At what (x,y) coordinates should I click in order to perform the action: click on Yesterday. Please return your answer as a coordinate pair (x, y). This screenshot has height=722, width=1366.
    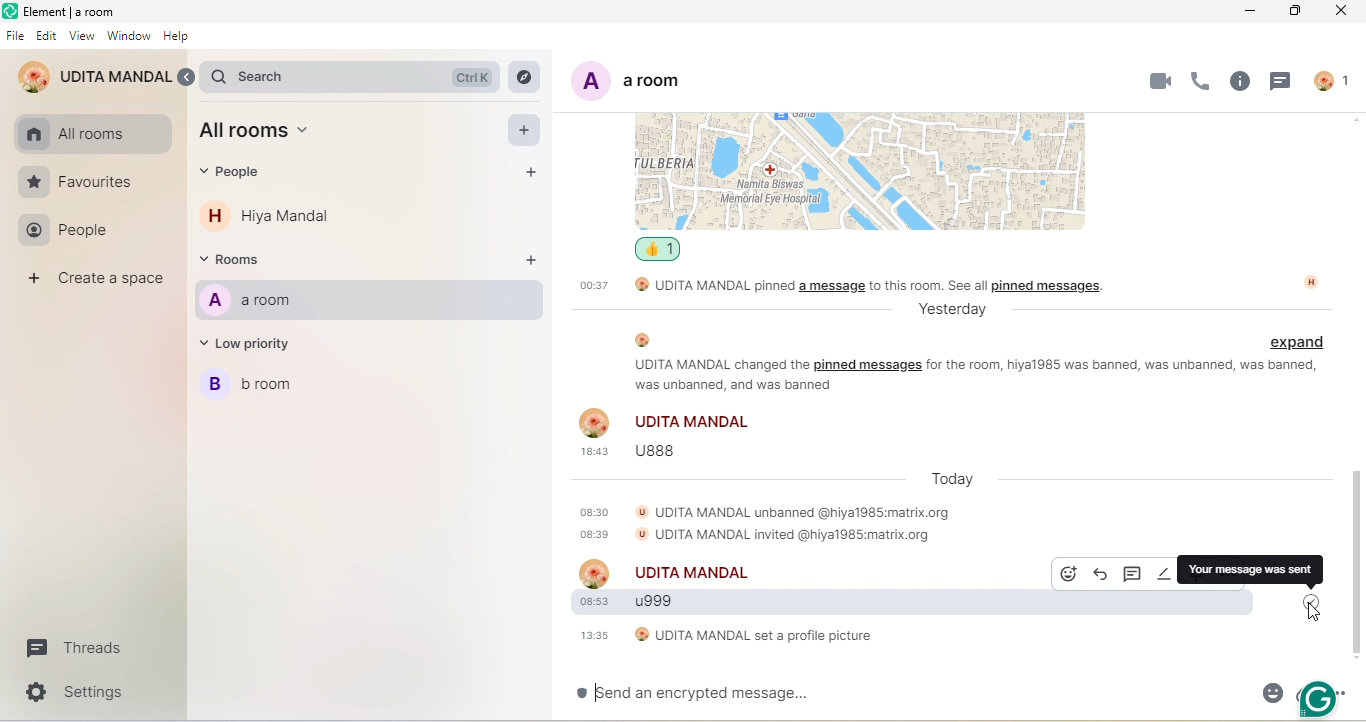
    Looking at the image, I should click on (964, 310).